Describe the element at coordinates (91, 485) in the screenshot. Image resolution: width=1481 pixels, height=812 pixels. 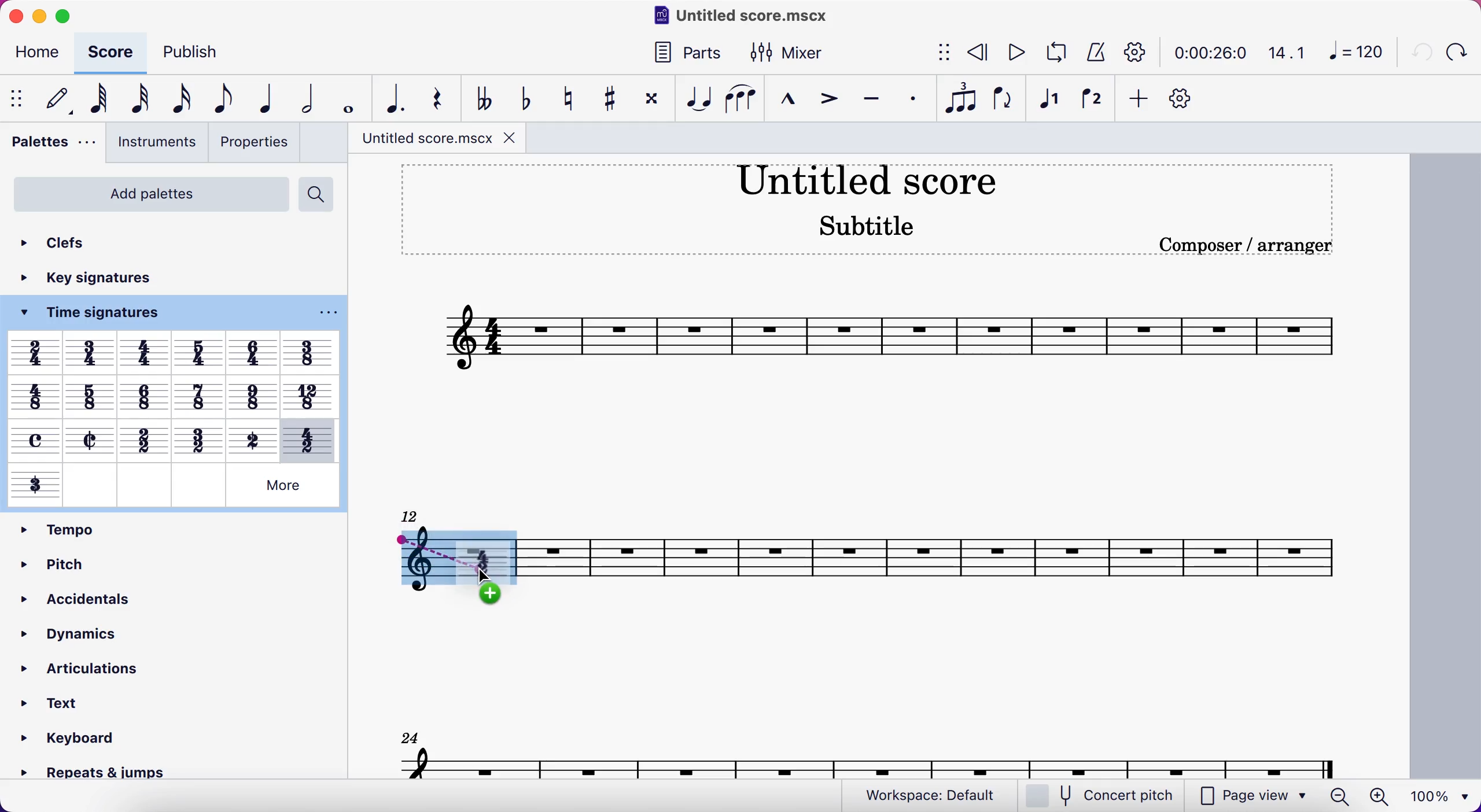
I see `` at that location.